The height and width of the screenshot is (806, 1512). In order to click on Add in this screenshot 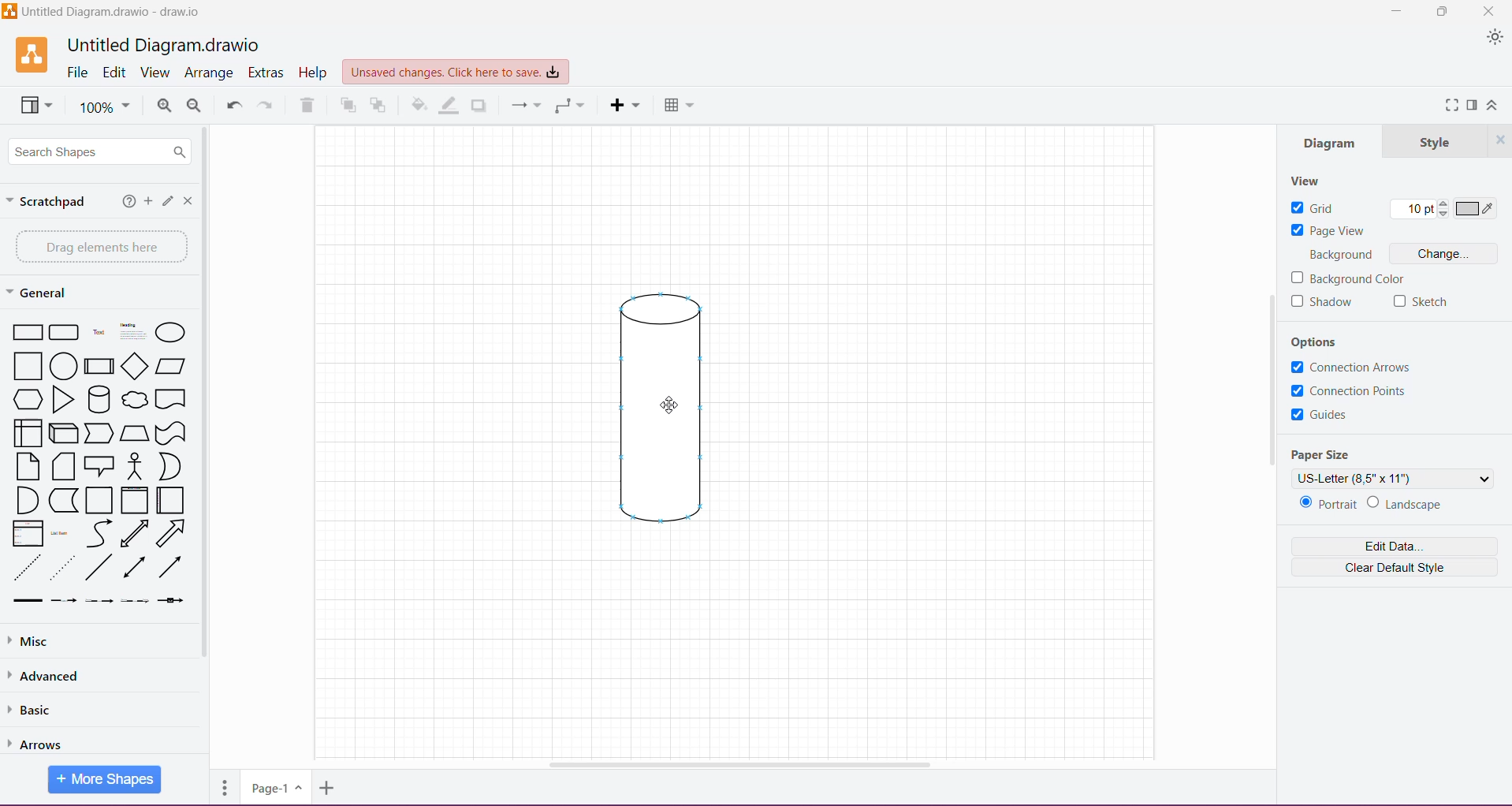, I will do `click(147, 203)`.